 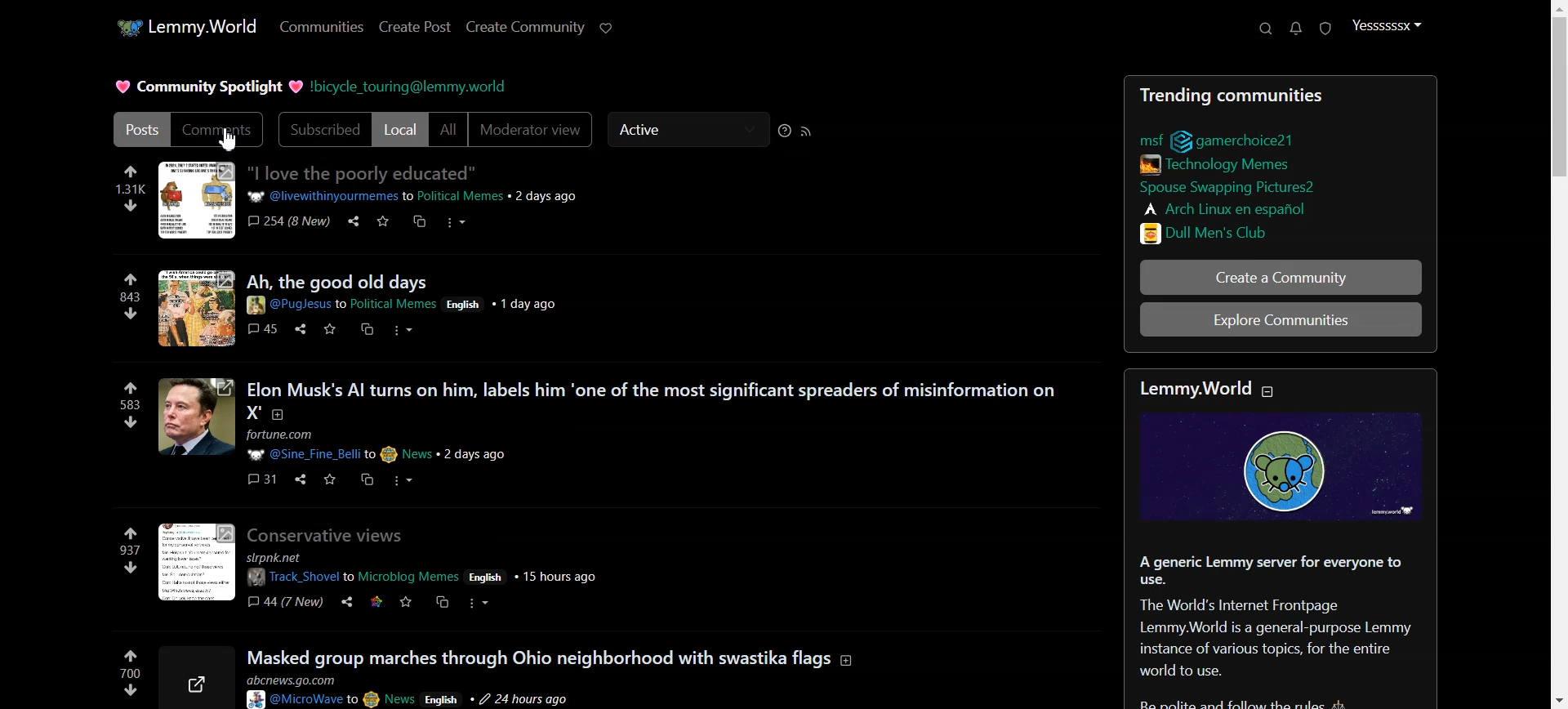 What do you see at coordinates (455, 221) in the screenshot?
I see `more` at bounding box center [455, 221].